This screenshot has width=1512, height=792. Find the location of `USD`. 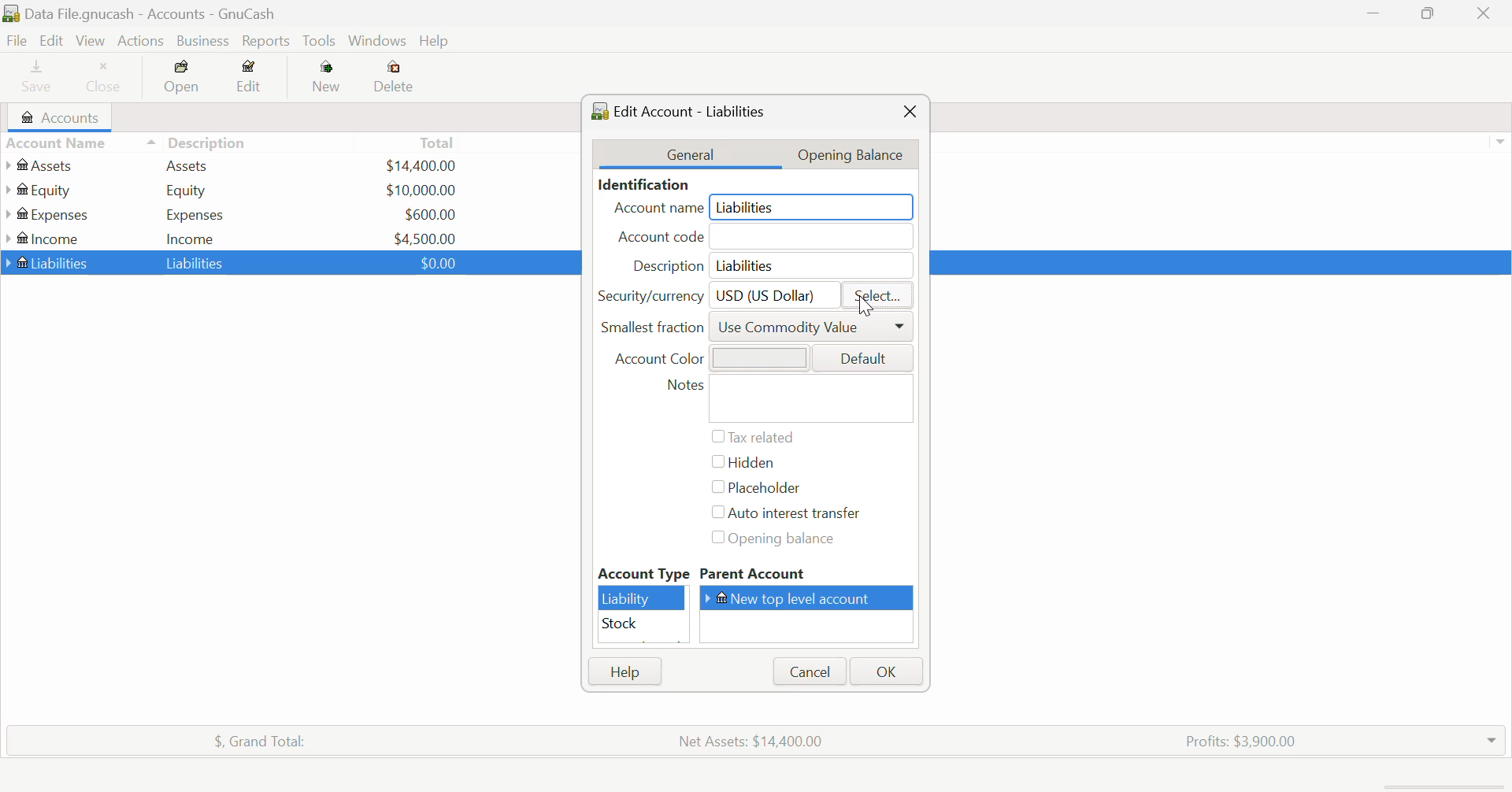

USD is located at coordinates (425, 237).